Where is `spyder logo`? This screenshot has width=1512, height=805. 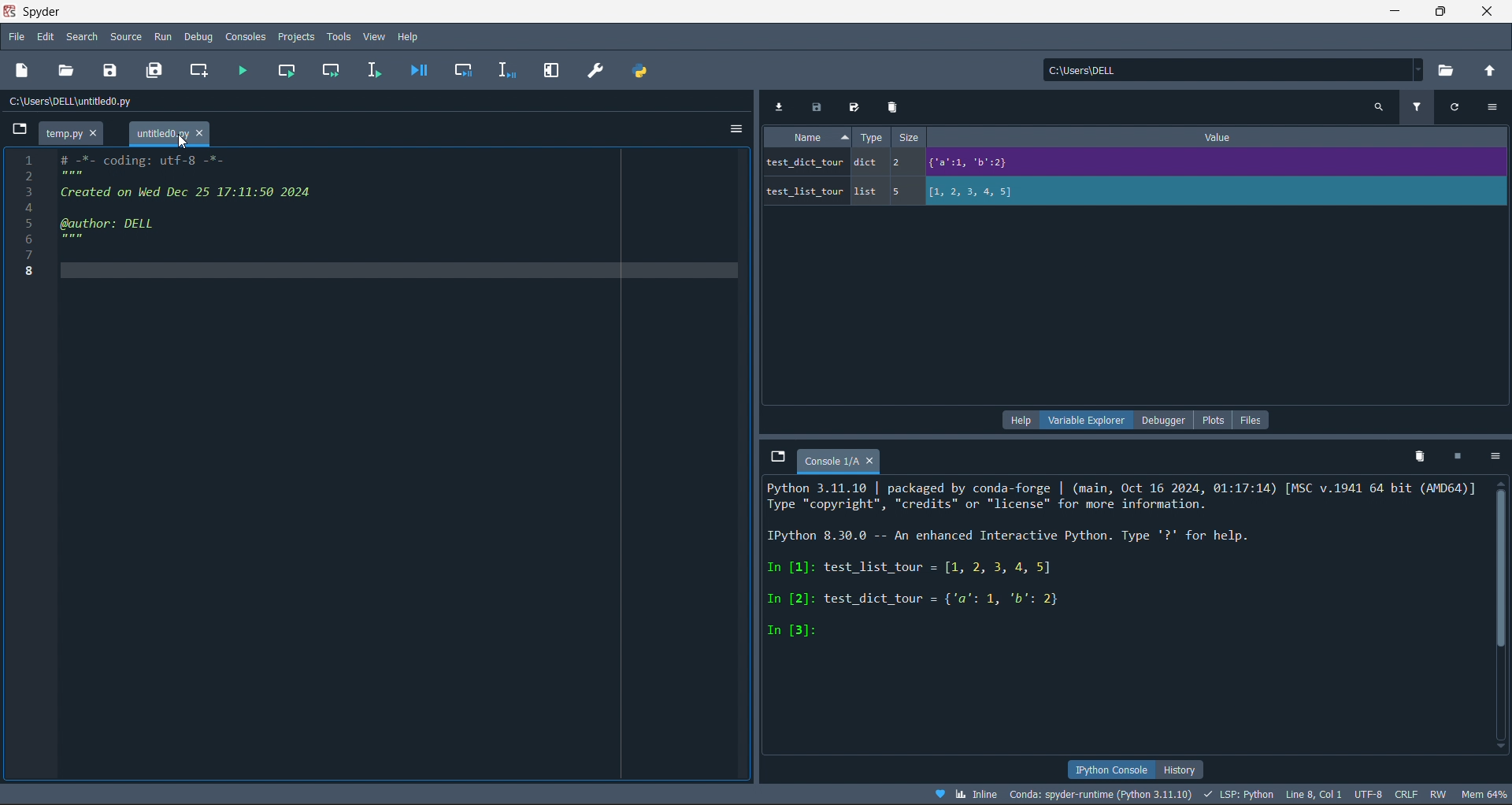
spyder logo is located at coordinates (9, 12).